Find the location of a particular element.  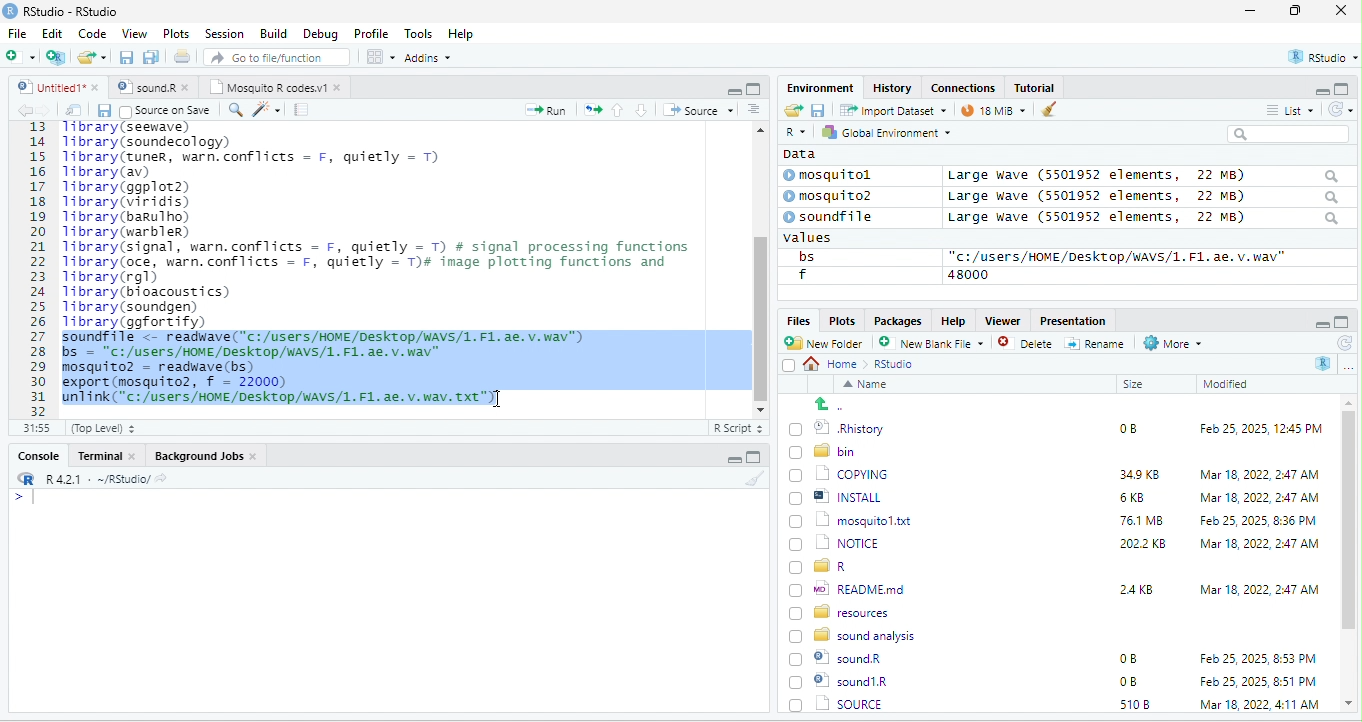

31:55 is located at coordinates (34, 428).